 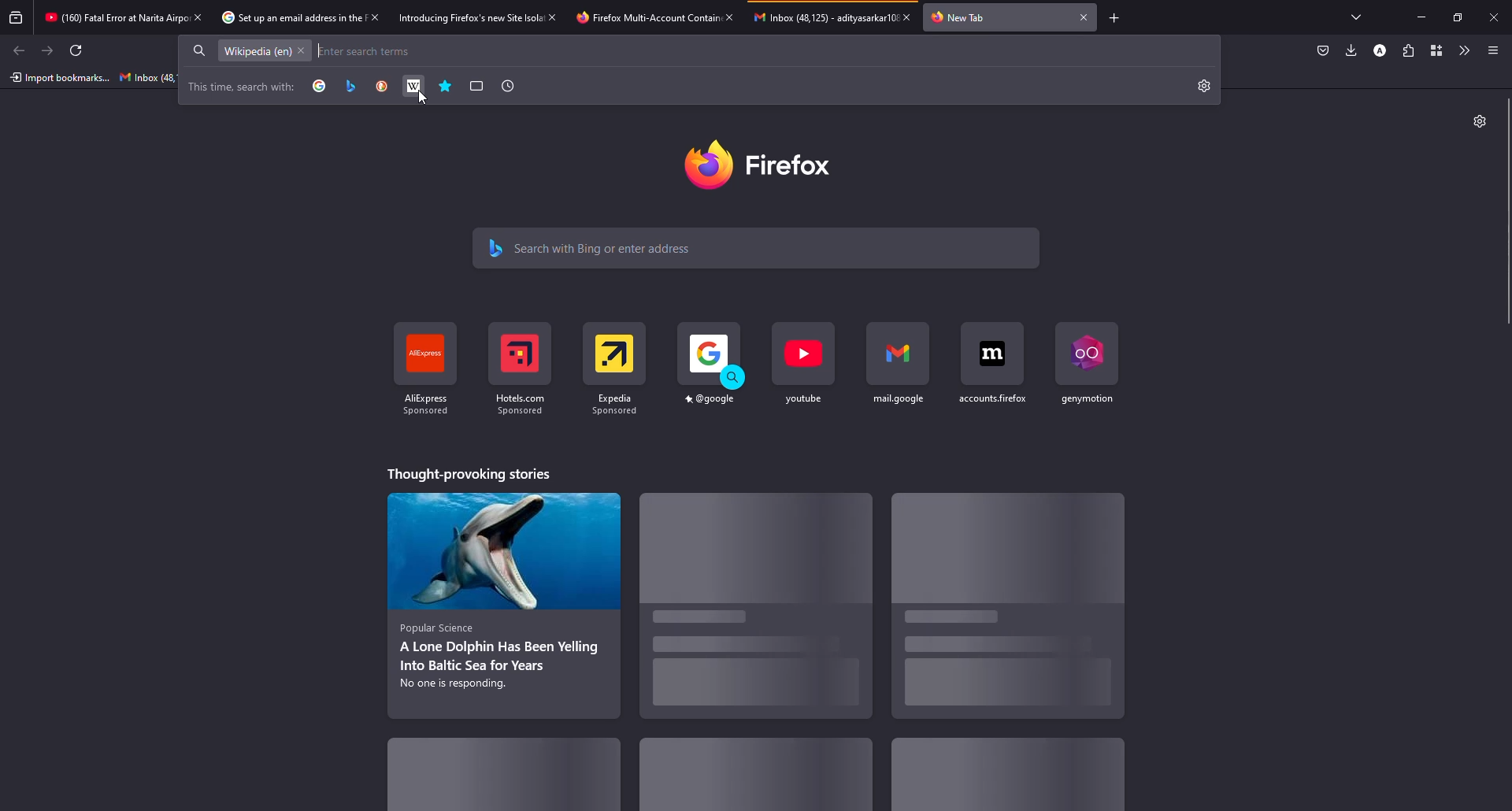 What do you see at coordinates (1421, 17) in the screenshot?
I see `minimize` at bounding box center [1421, 17].